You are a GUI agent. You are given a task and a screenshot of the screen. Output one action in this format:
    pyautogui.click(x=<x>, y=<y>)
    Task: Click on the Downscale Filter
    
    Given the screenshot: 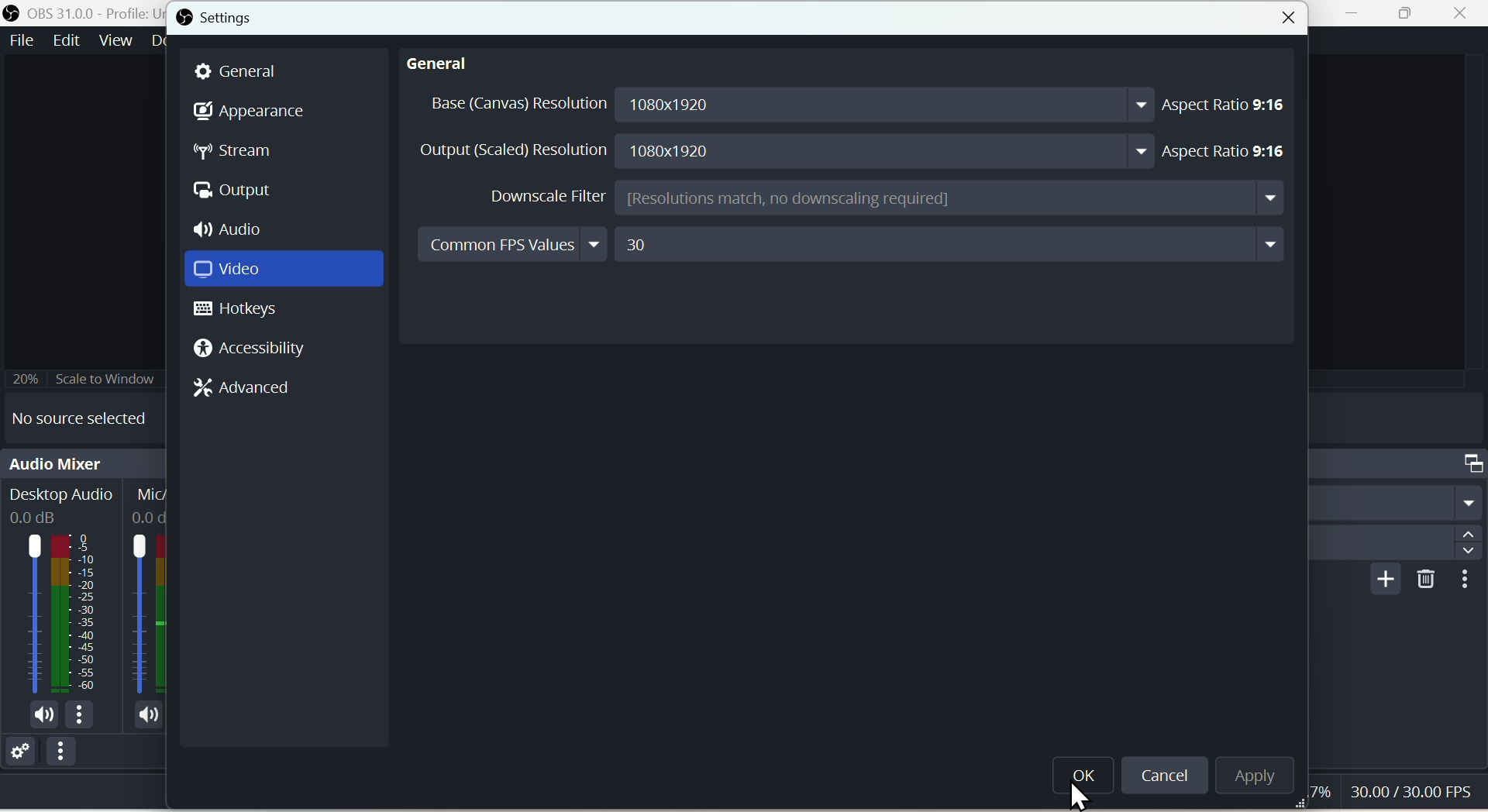 What is the action you would take?
    pyautogui.click(x=884, y=198)
    